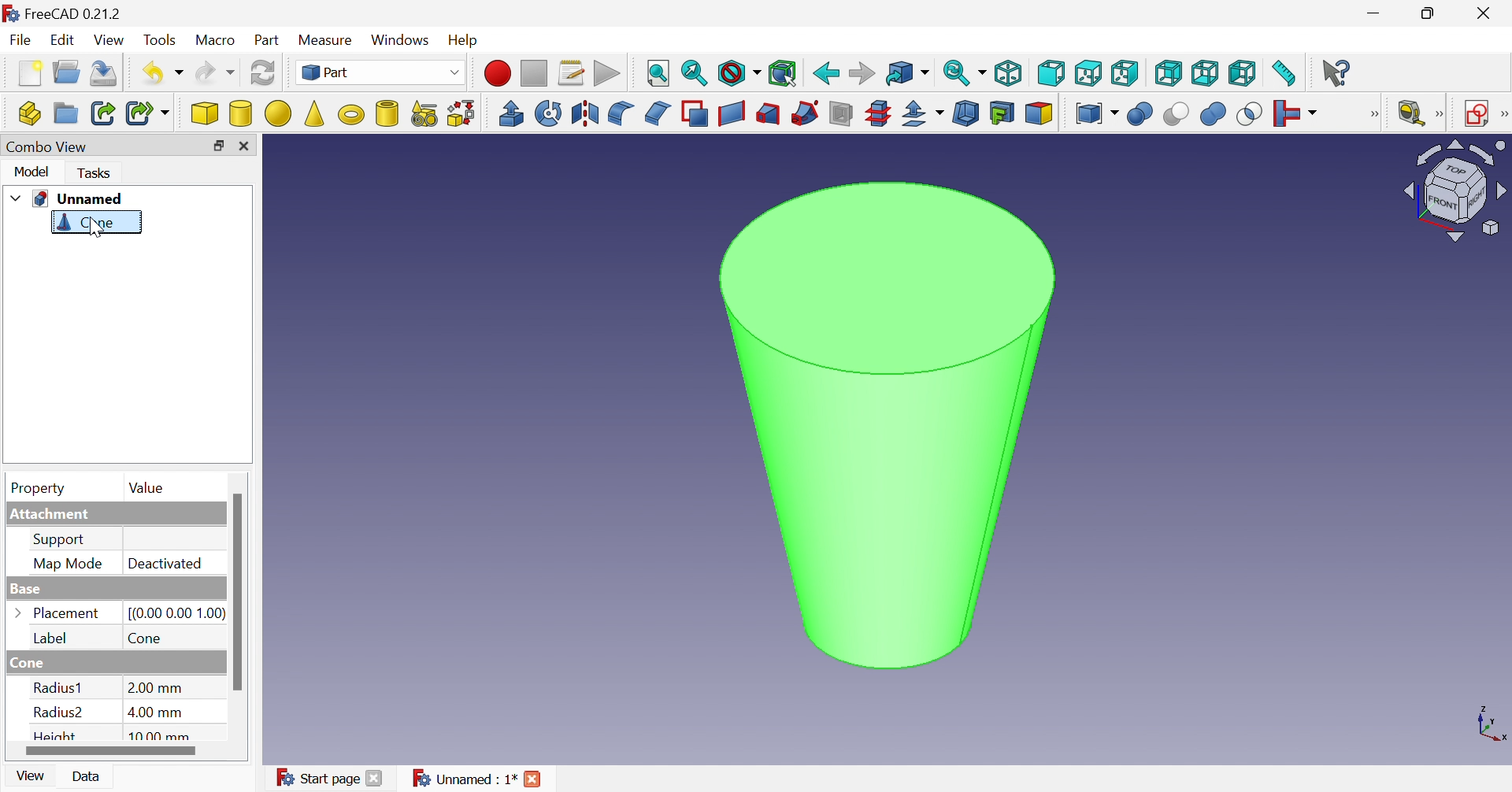 Image resolution: width=1512 pixels, height=792 pixels. What do you see at coordinates (1247, 116) in the screenshot?
I see `Intersection` at bounding box center [1247, 116].